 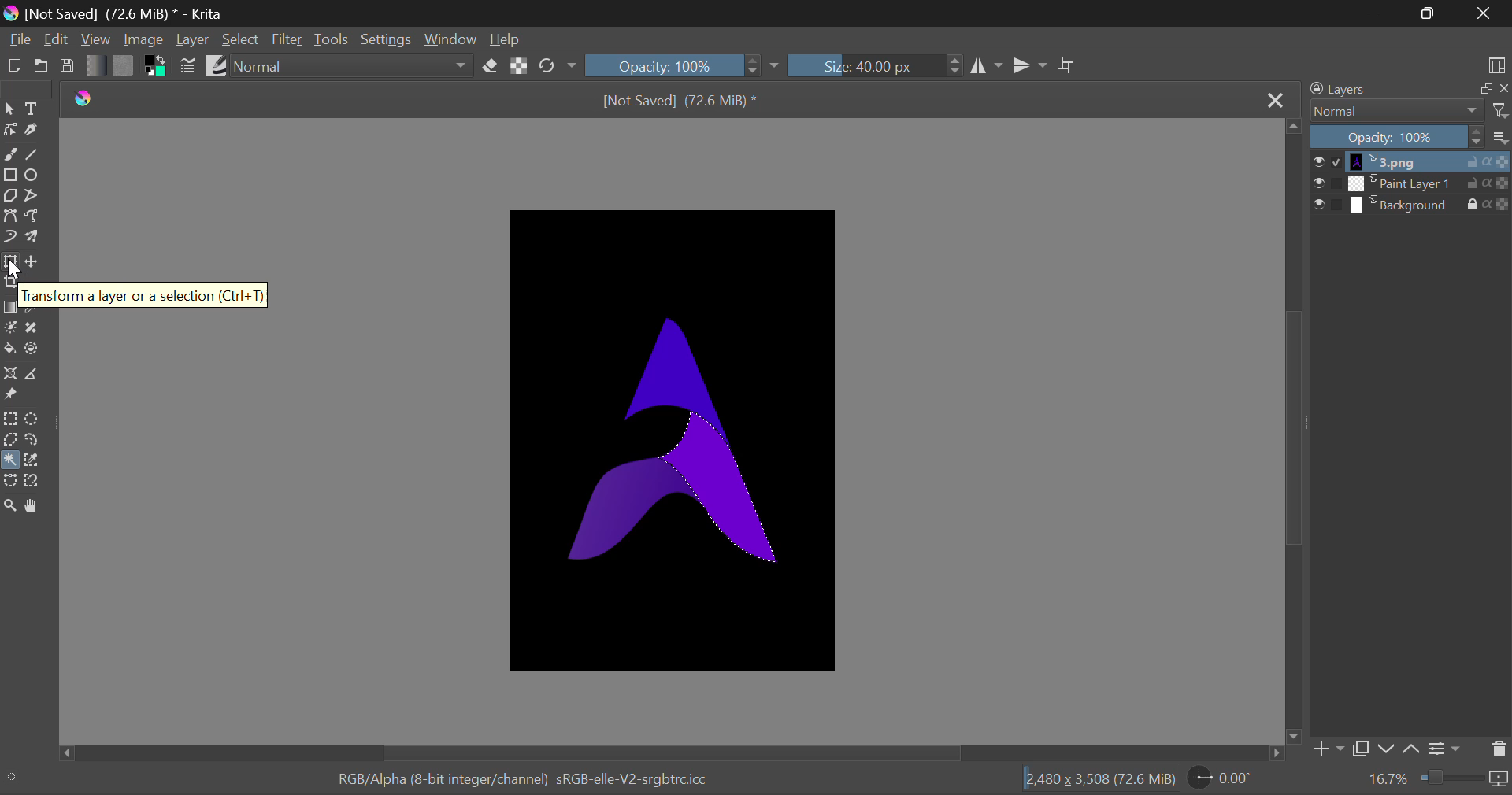 What do you see at coordinates (37, 195) in the screenshot?
I see `Polyline` at bounding box center [37, 195].